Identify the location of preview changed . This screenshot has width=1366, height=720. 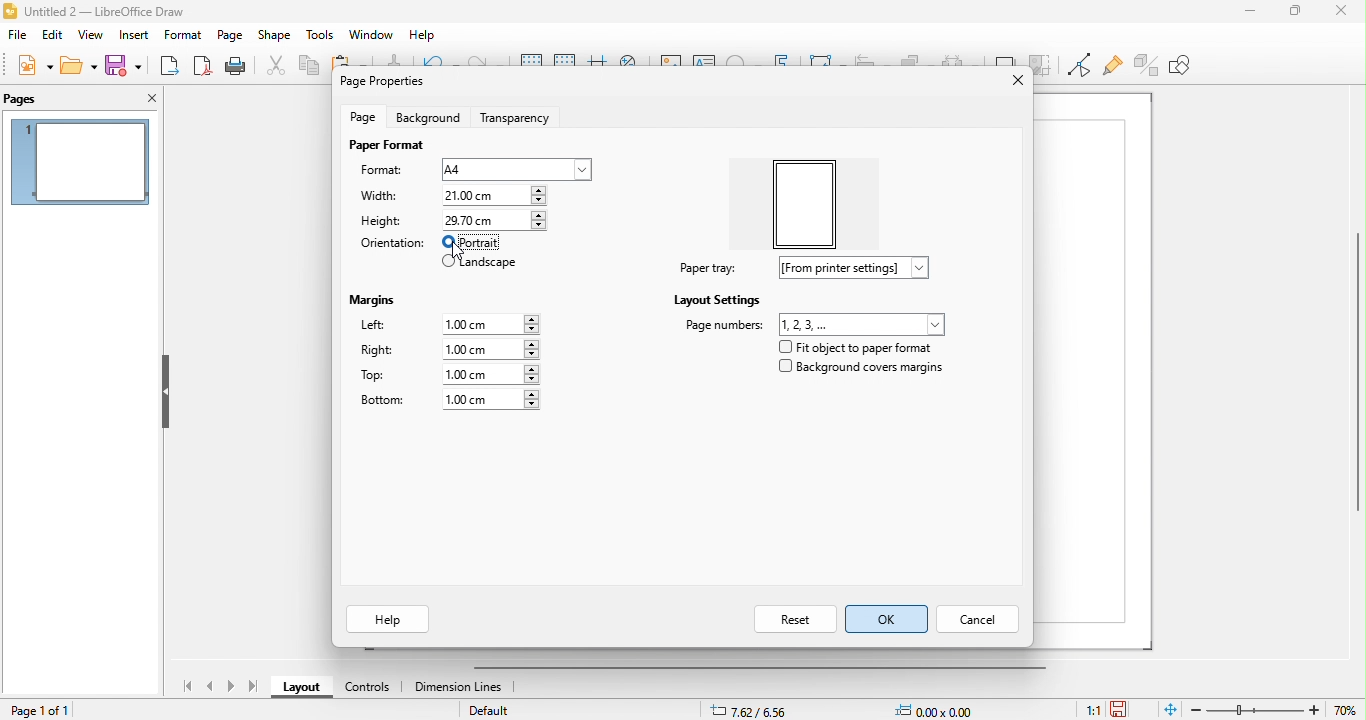
(808, 203).